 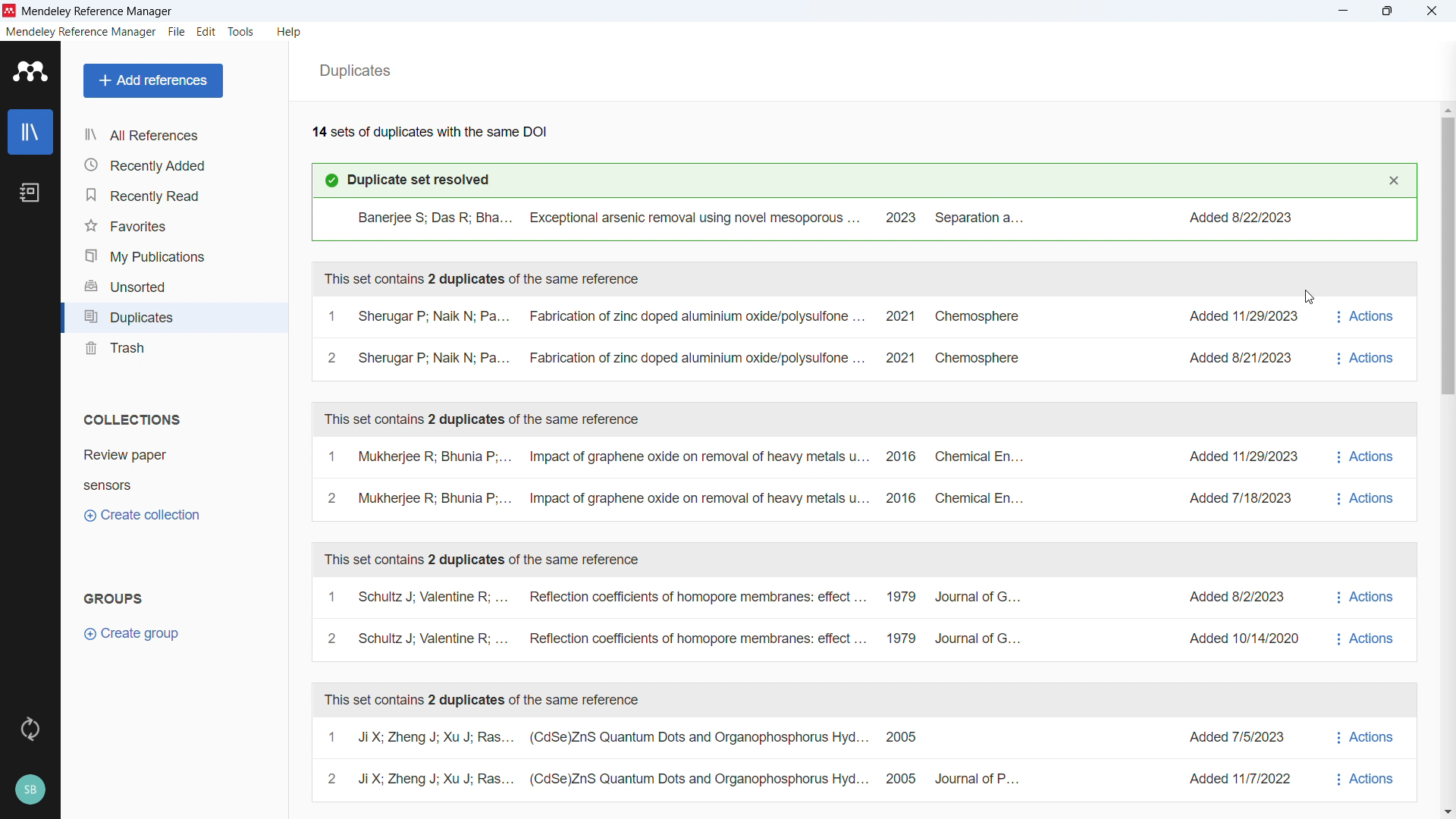 I want to click on Set of duplicates , so click(x=677, y=759).